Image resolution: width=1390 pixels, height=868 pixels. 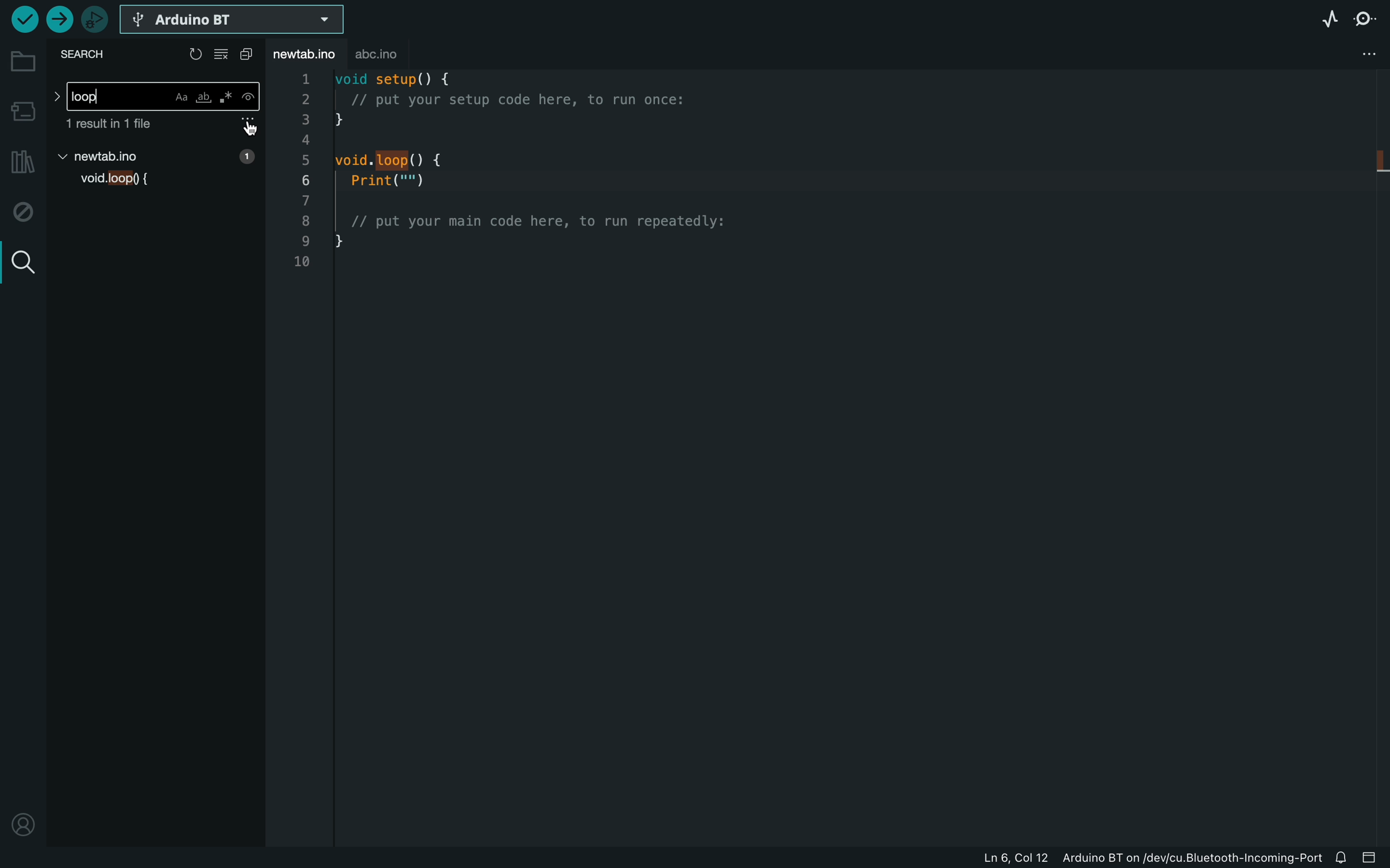 What do you see at coordinates (537, 180) in the screenshot?
I see `void setup() {// put your setup code here, to run once:}void. loop() {Print("")// put your main code here, to run repeatedly:}` at bounding box center [537, 180].